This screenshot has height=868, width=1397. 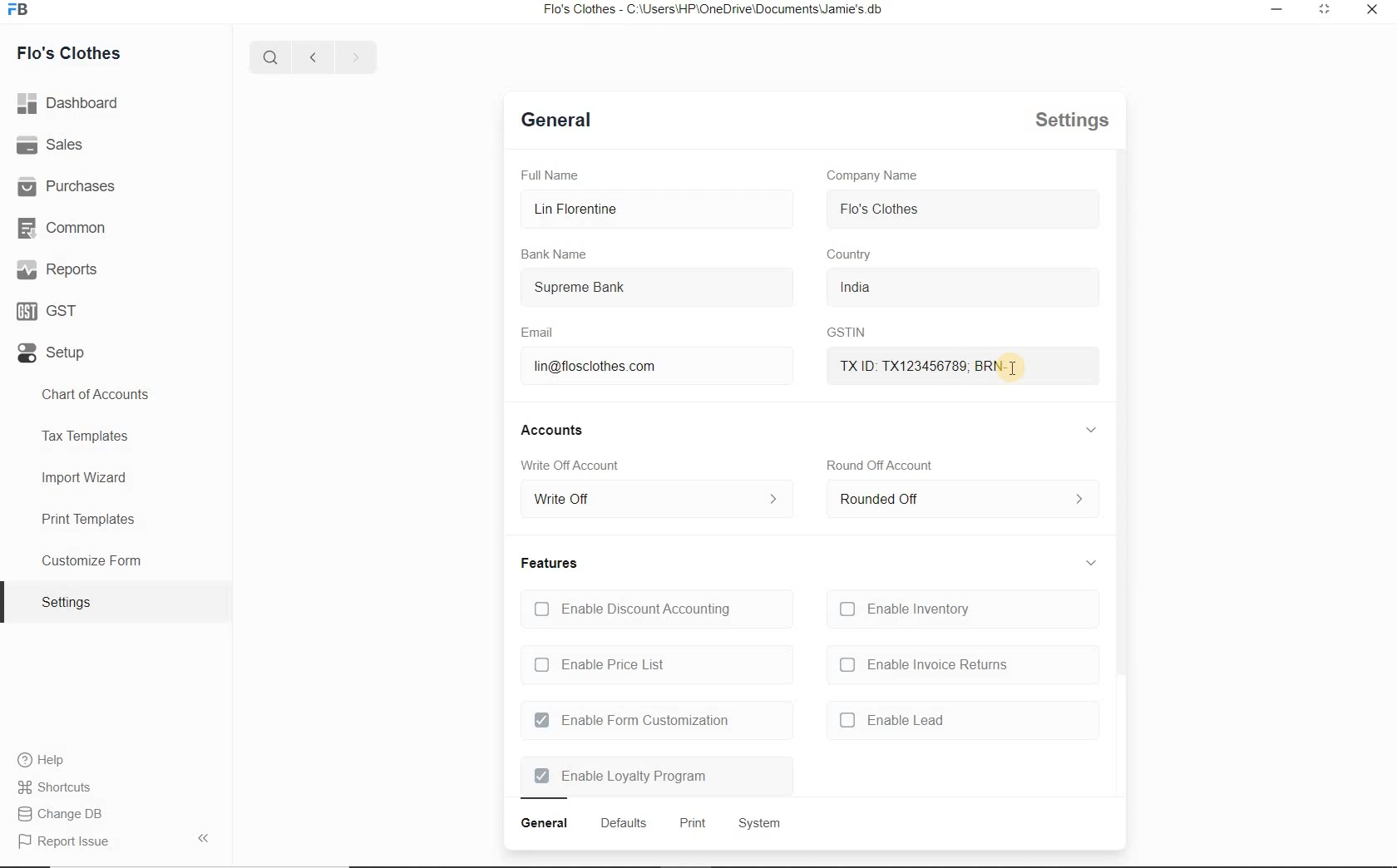 I want to click on next, so click(x=353, y=57).